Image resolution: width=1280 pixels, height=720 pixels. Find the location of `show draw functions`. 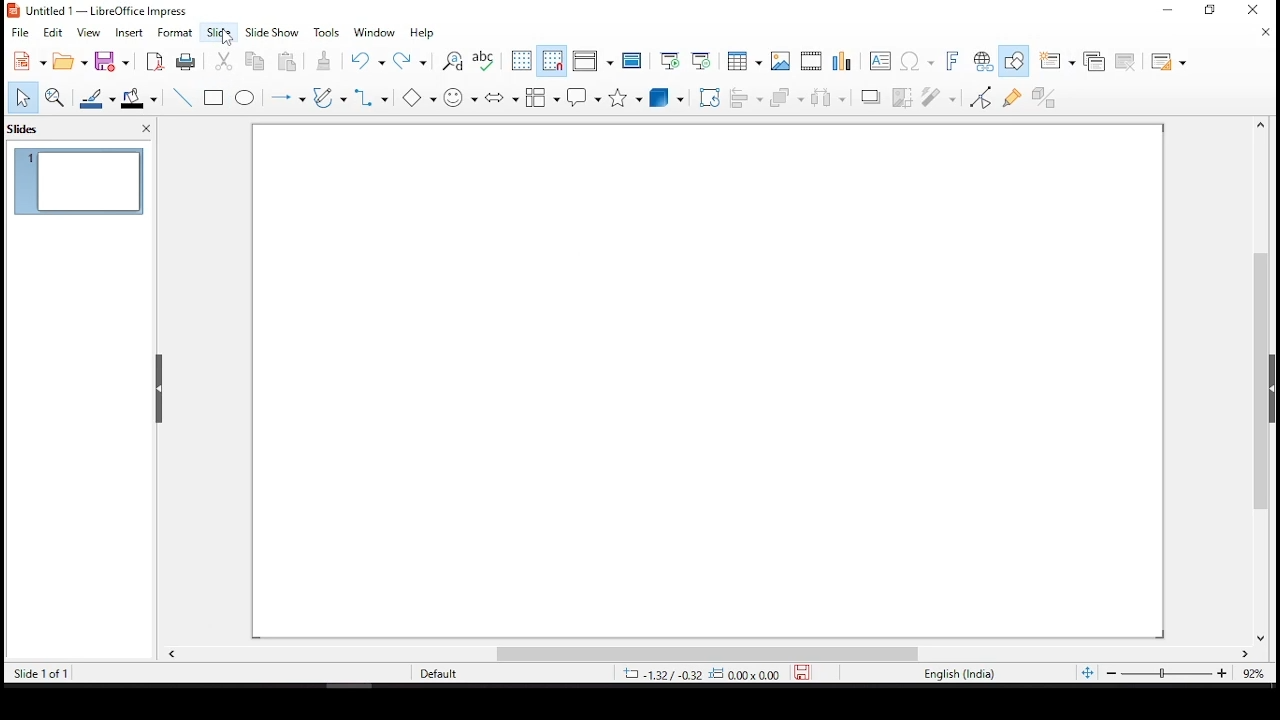

show draw functions is located at coordinates (1015, 59).